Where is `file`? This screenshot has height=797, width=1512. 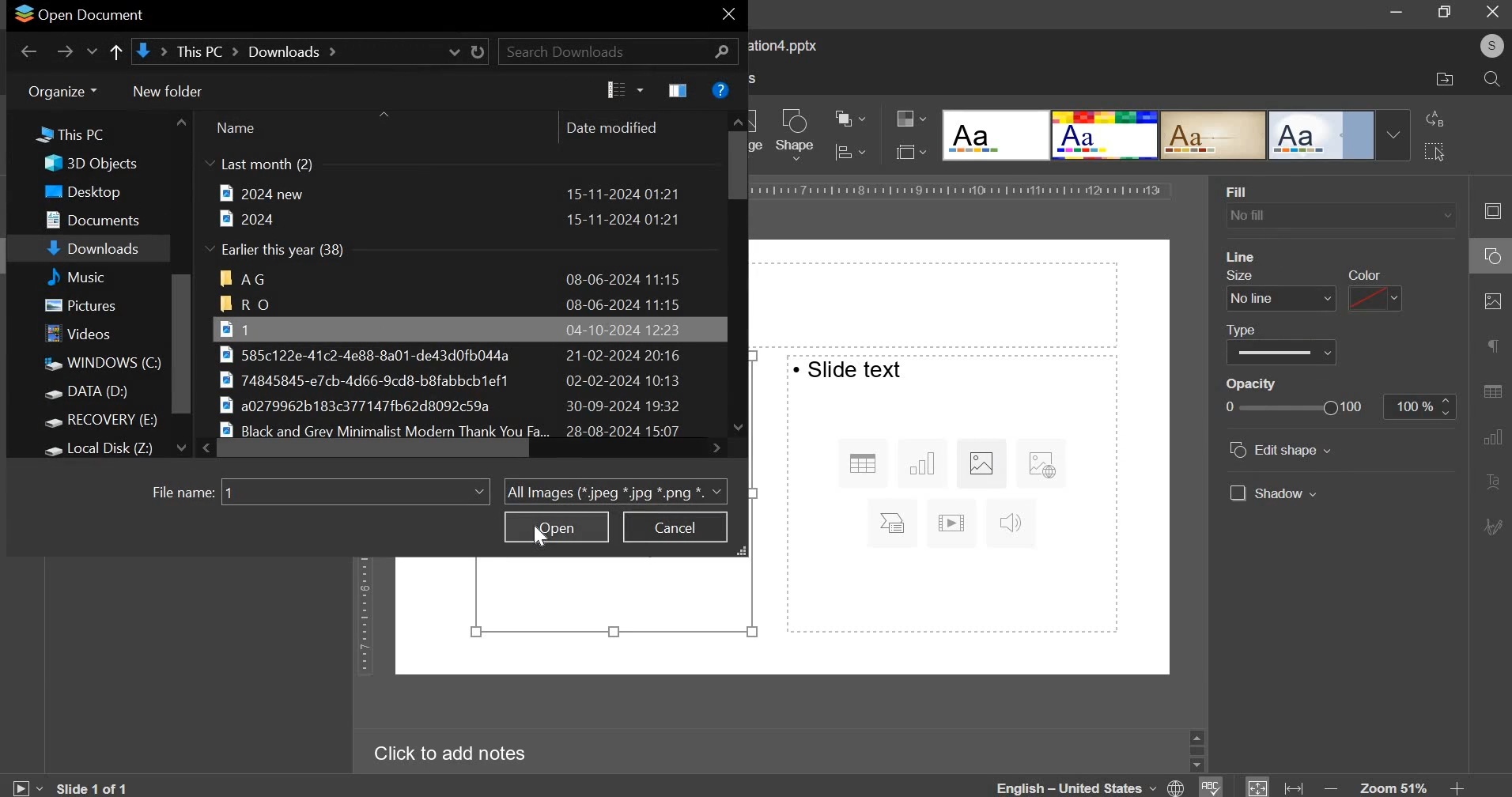 file is located at coordinates (449, 219).